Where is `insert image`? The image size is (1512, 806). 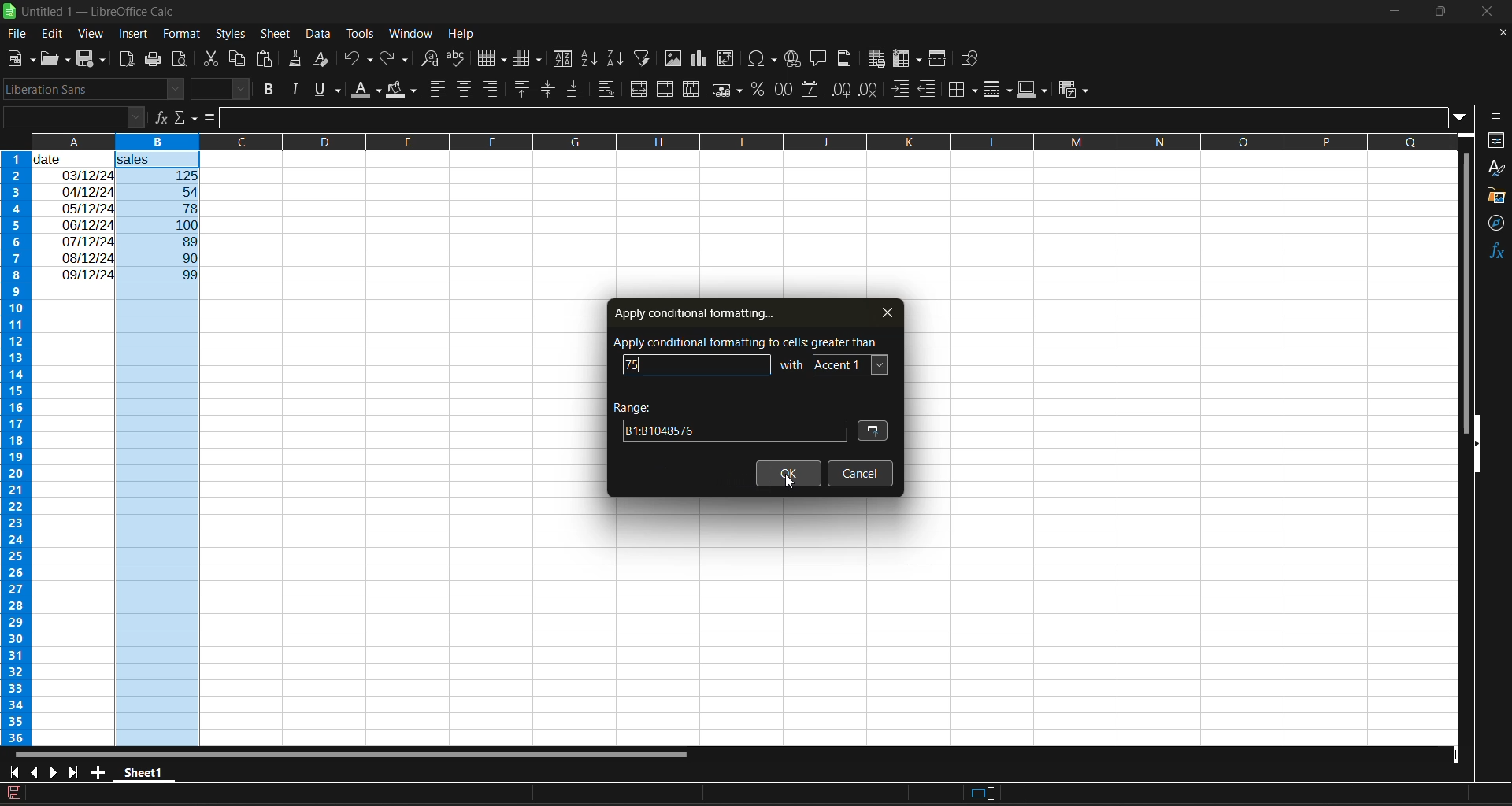 insert image is located at coordinates (676, 59).